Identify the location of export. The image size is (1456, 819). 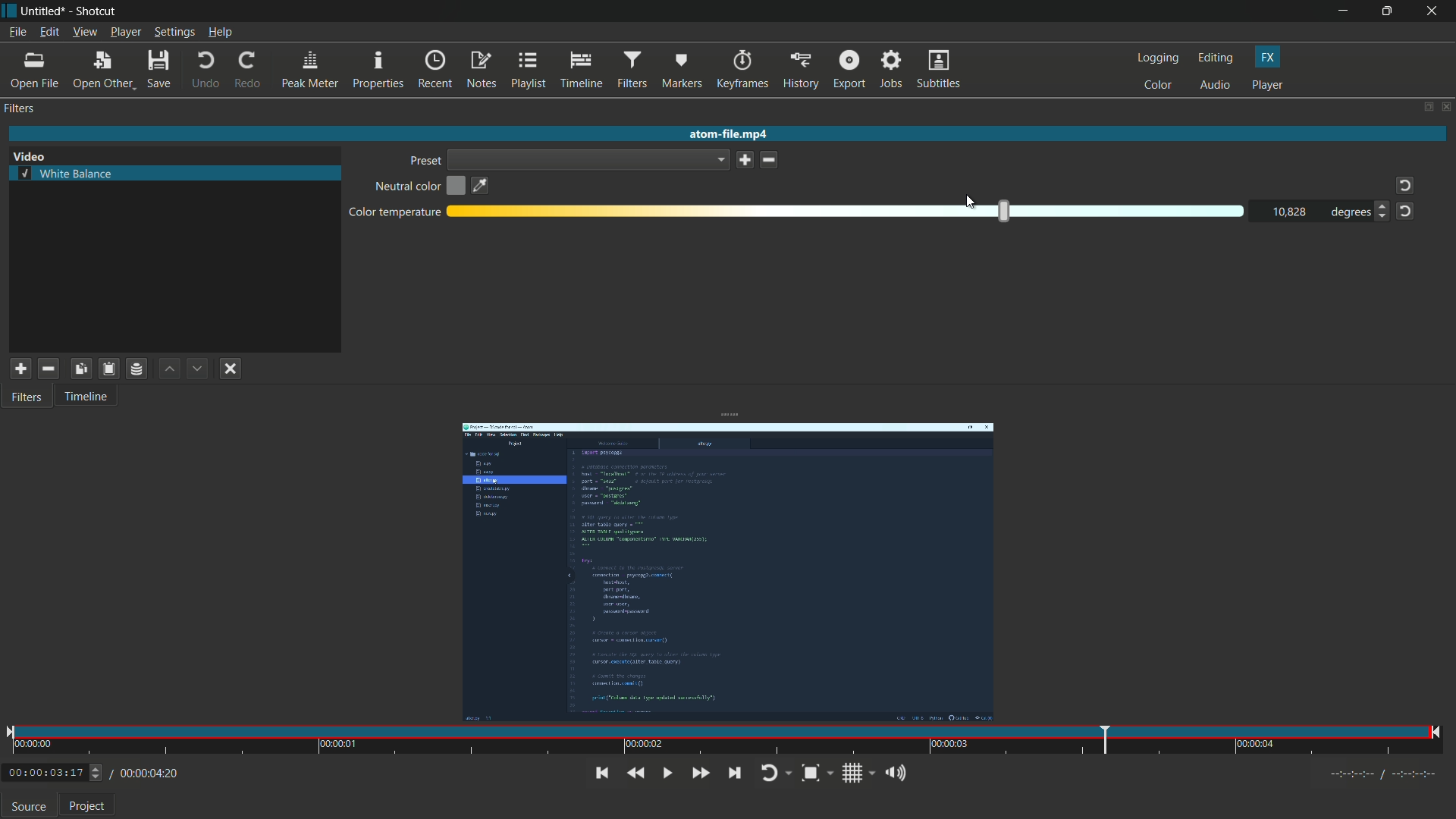
(849, 68).